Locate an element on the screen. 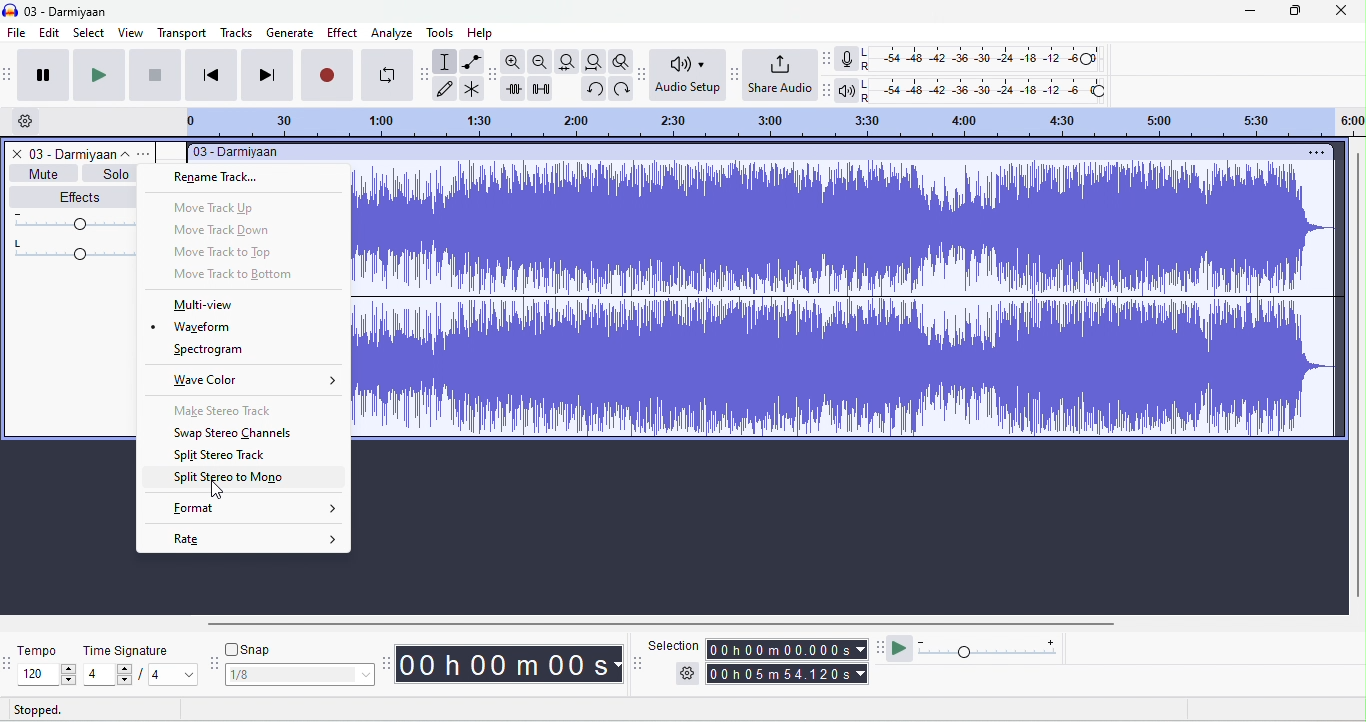 The image size is (1366, 722). horizontal scroll bar is located at coordinates (655, 624).